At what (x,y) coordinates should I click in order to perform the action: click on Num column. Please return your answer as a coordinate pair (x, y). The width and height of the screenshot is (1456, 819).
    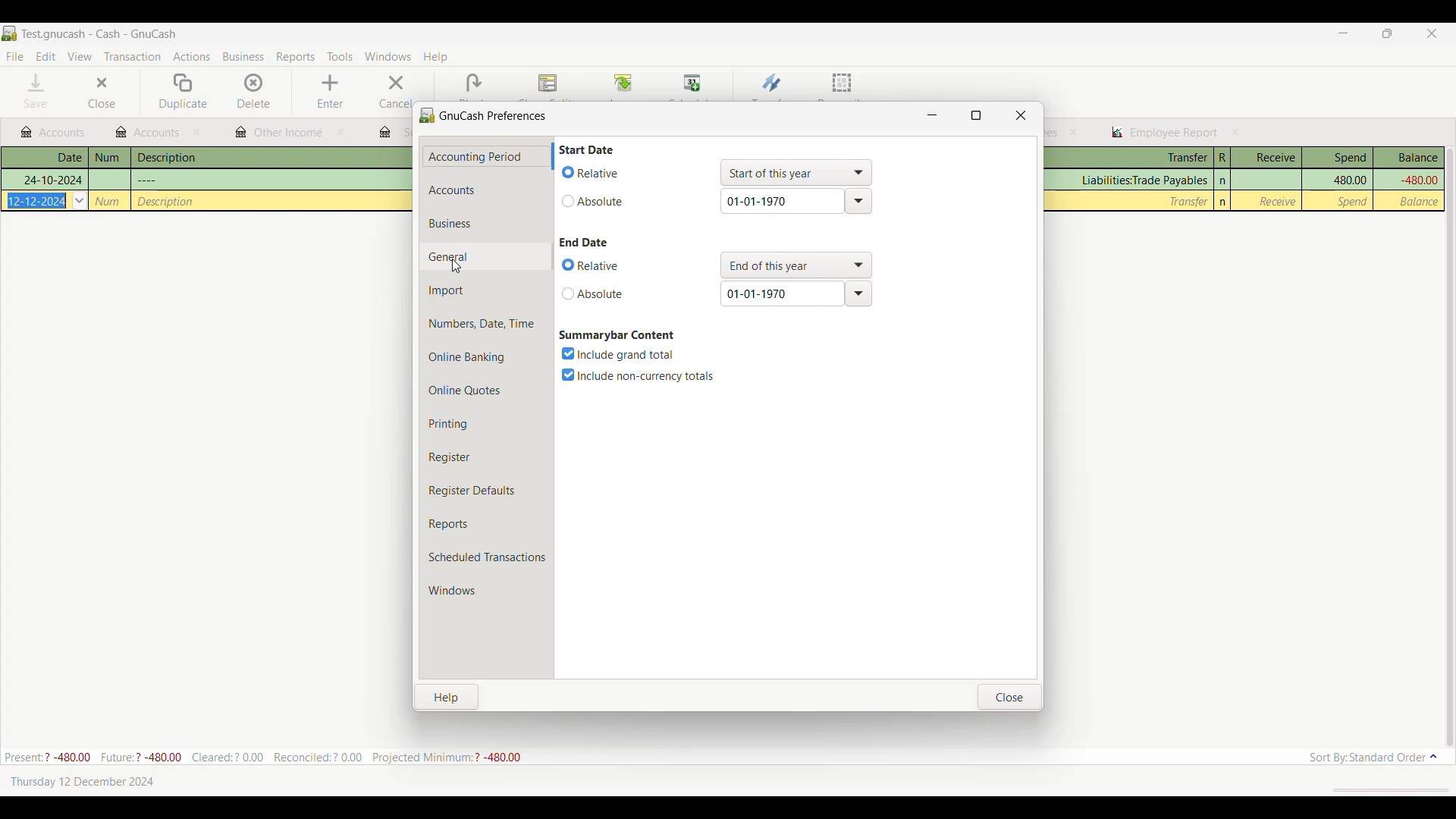
    Looking at the image, I should click on (109, 158).